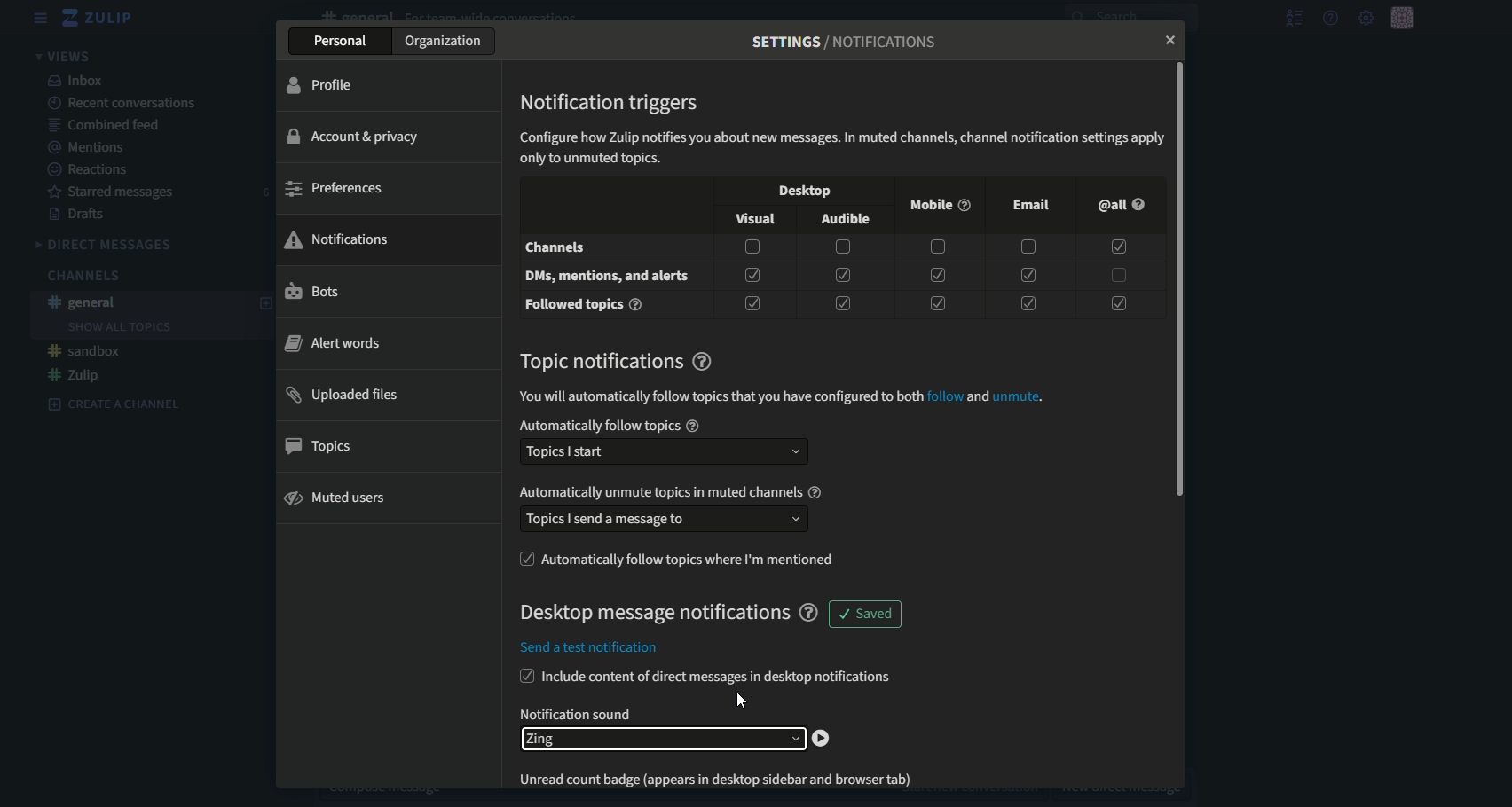 This screenshot has width=1512, height=807. I want to click on muted users, so click(338, 498).